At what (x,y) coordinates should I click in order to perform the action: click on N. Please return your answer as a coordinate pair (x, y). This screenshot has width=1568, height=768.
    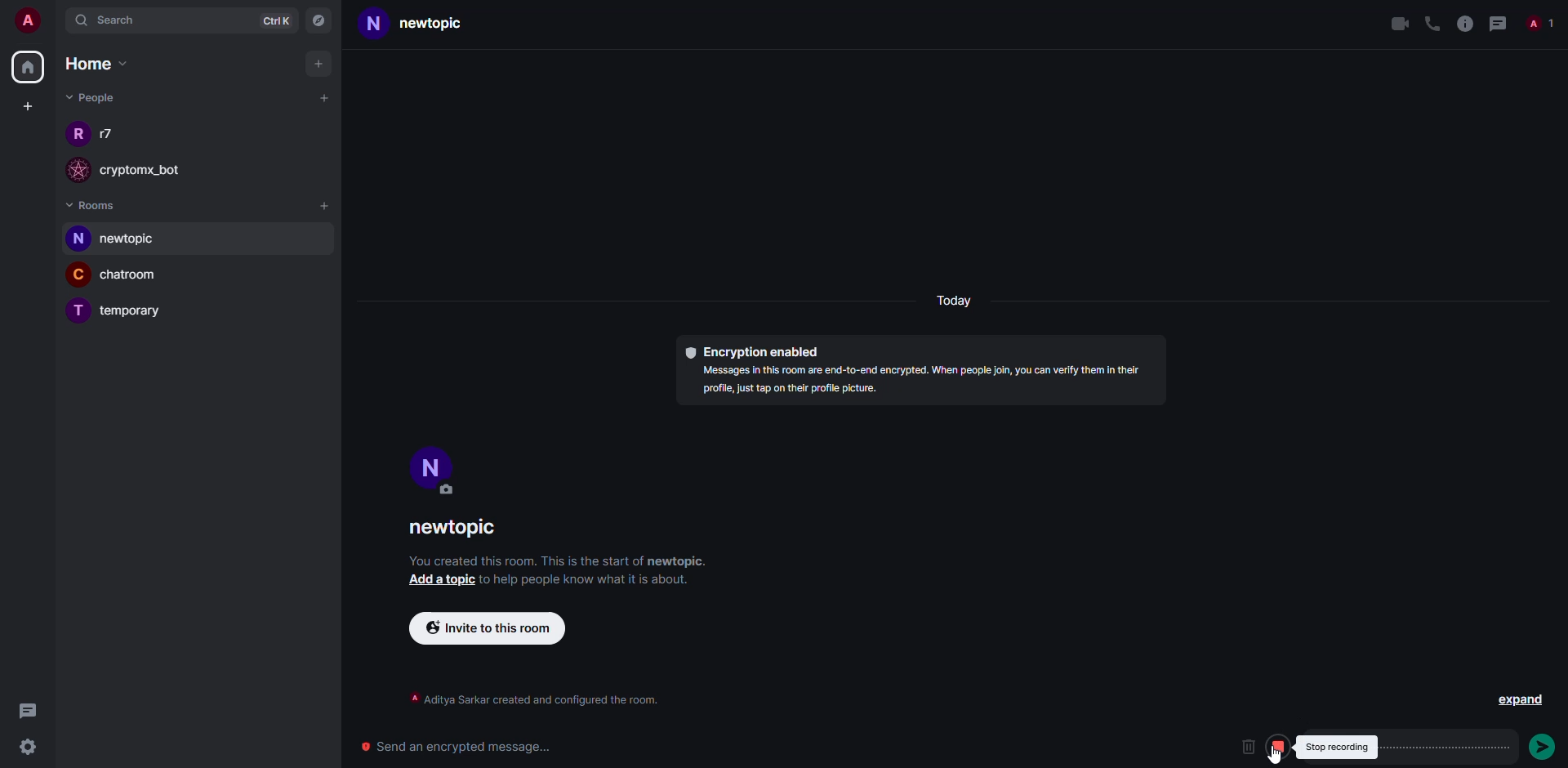
    Looking at the image, I should click on (374, 25).